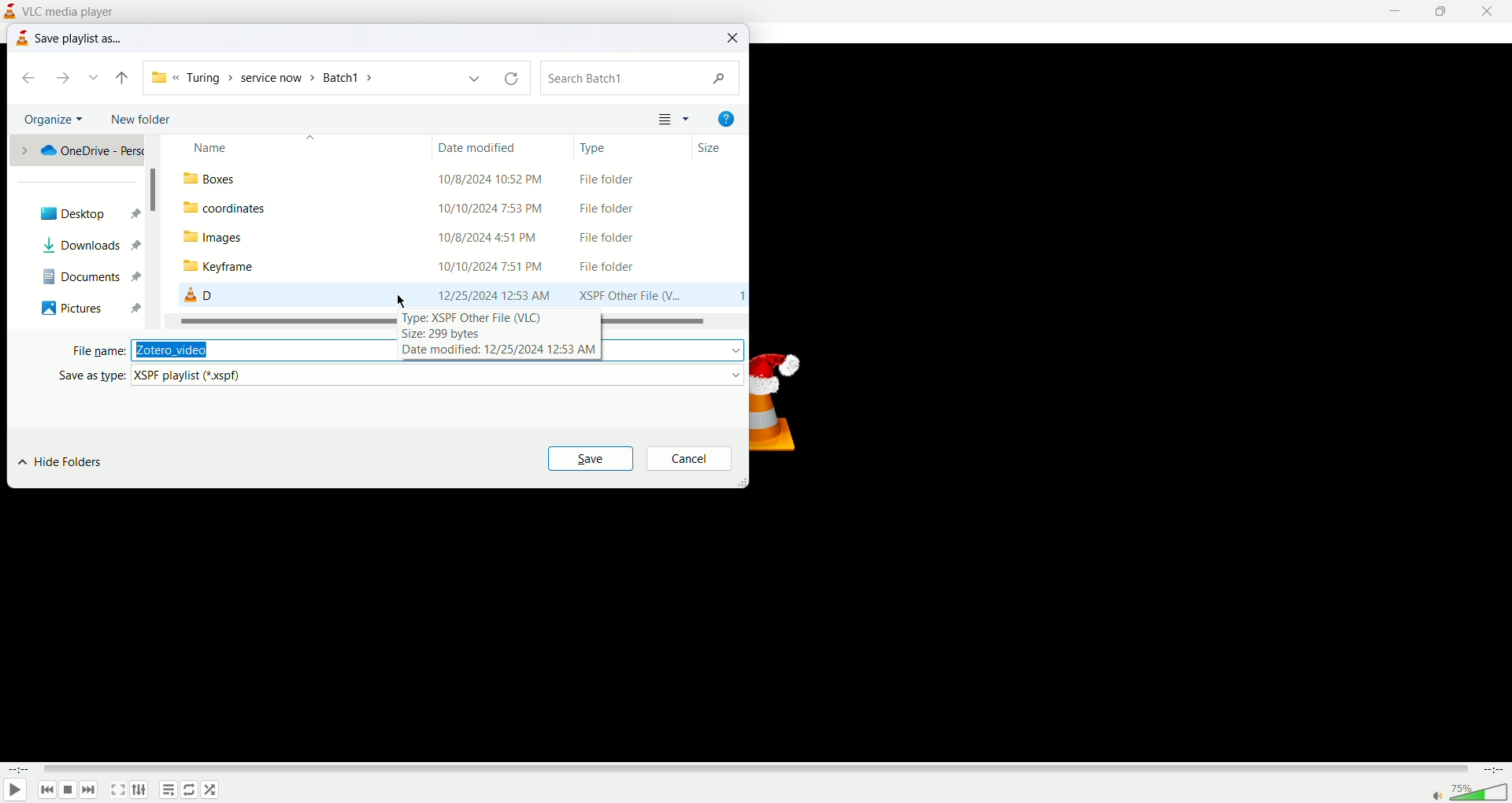  I want to click on random, so click(210, 791).